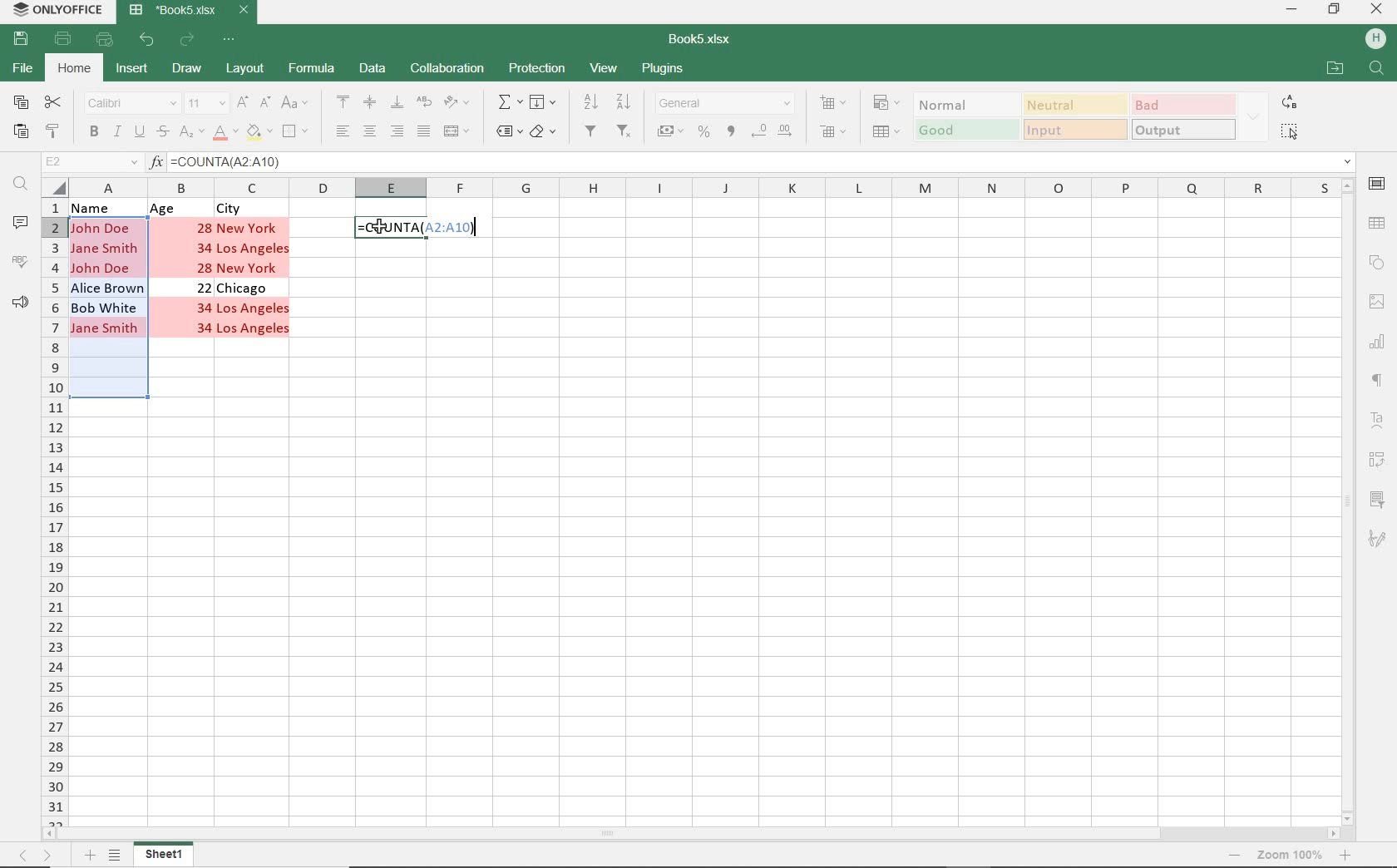 This screenshot has width=1397, height=868. Describe the element at coordinates (103, 207) in the screenshot. I see `Name` at that location.